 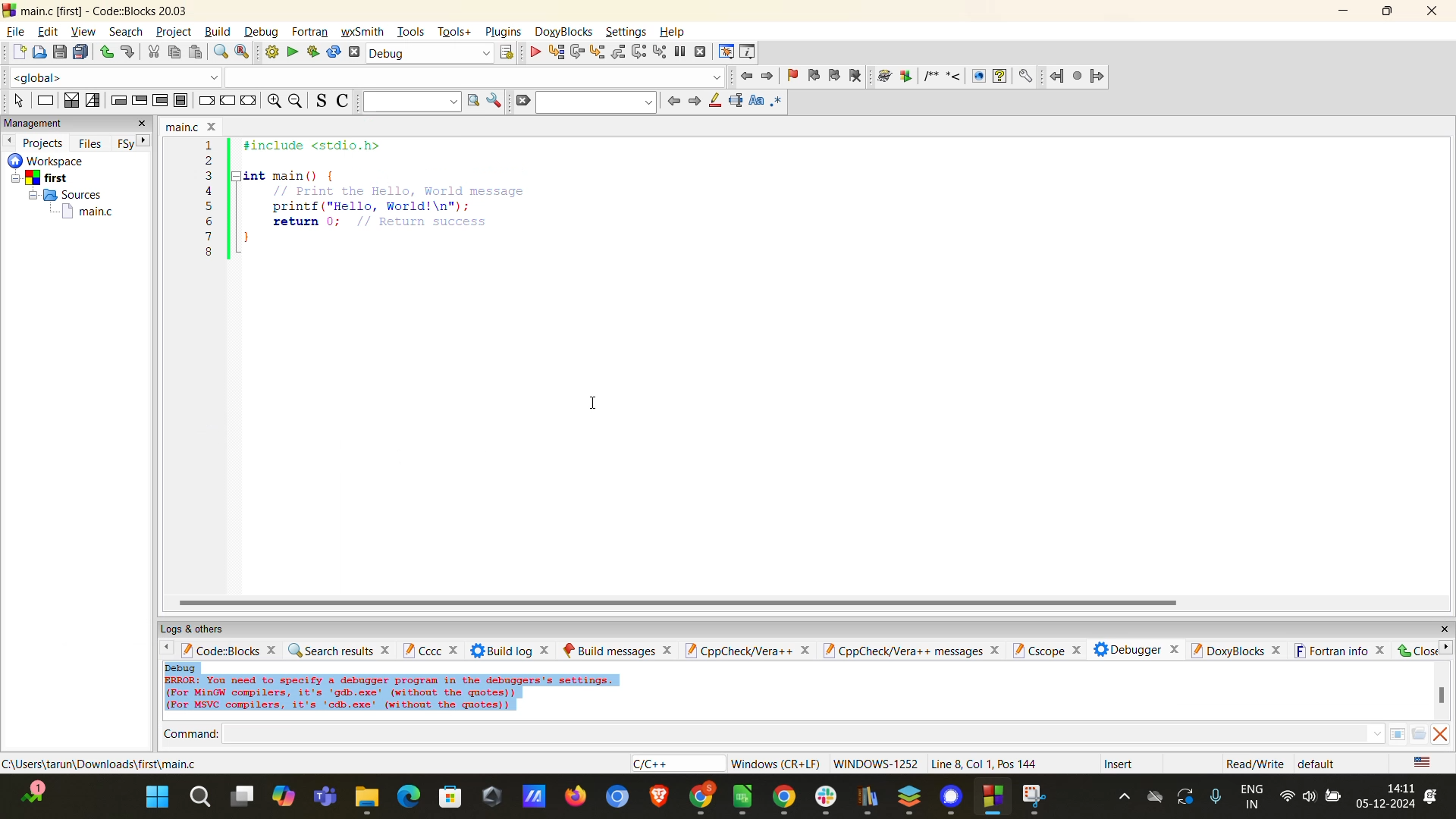 What do you see at coordinates (1391, 13) in the screenshot?
I see `maximize` at bounding box center [1391, 13].